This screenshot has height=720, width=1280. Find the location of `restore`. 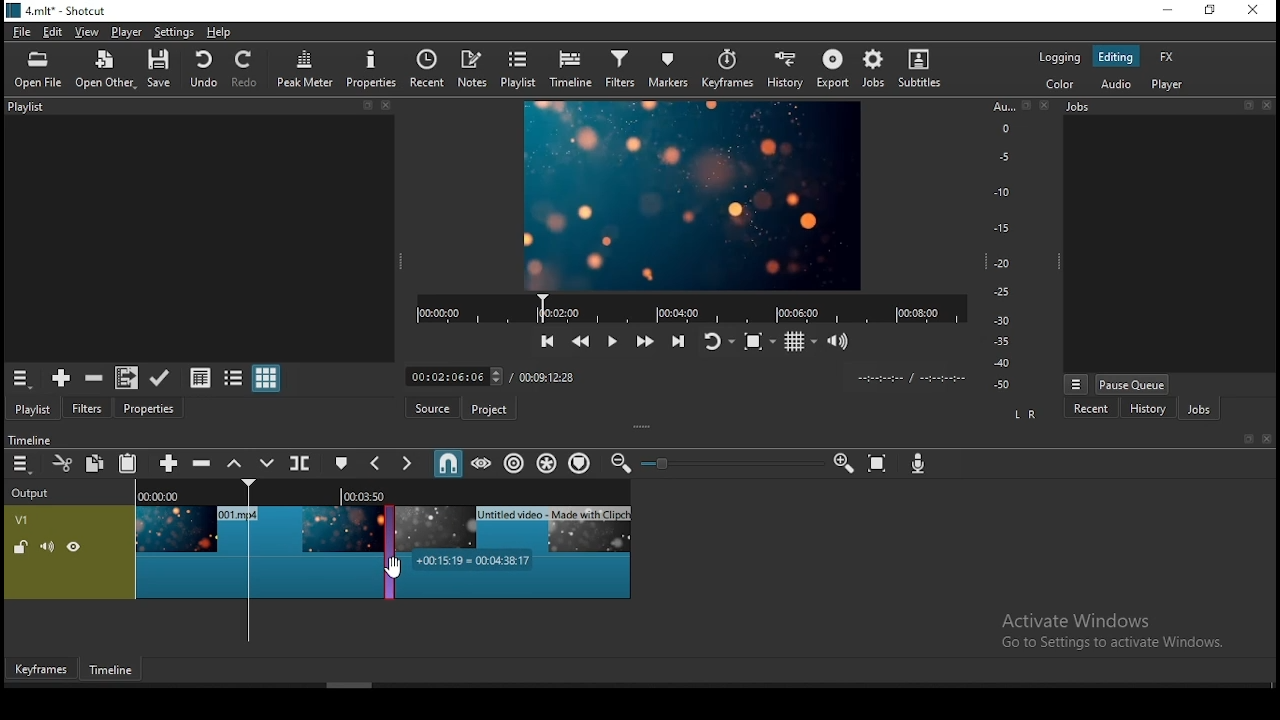

restore is located at coordinates (1212, 11).